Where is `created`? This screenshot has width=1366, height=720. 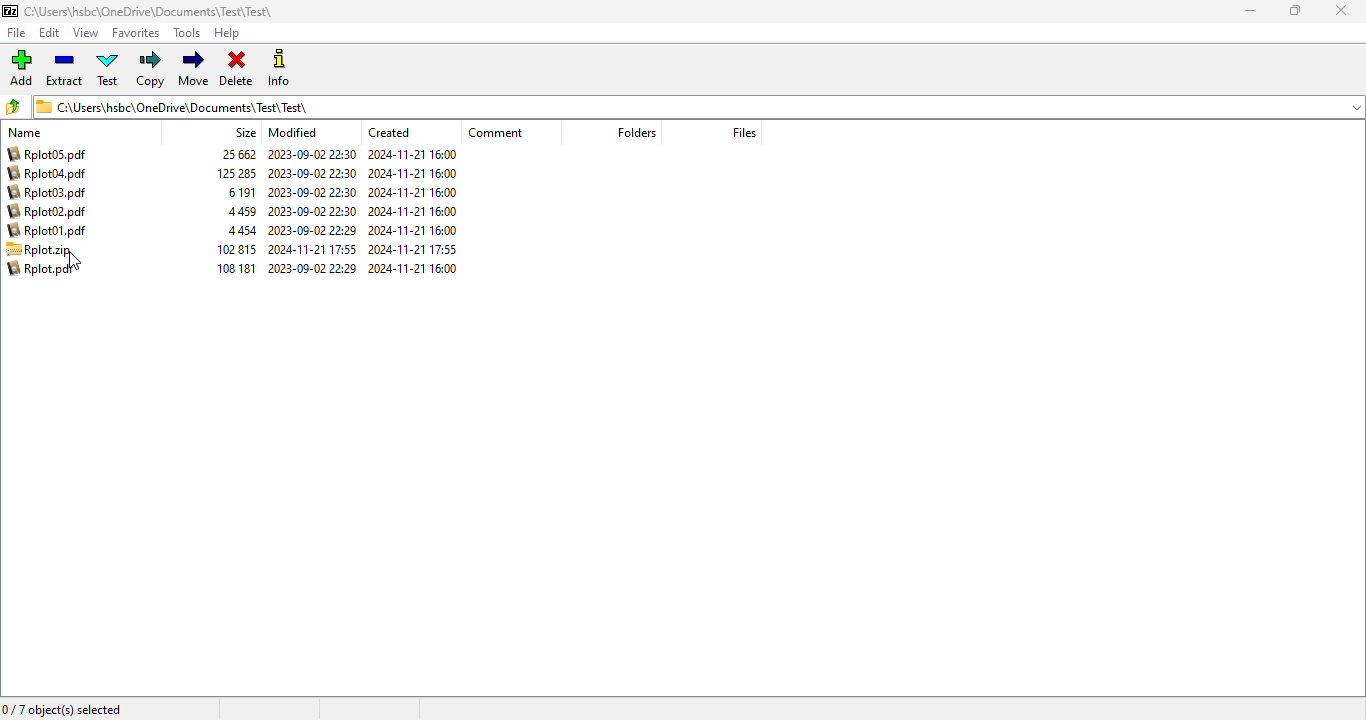
created is located at coordinates (388, 132).